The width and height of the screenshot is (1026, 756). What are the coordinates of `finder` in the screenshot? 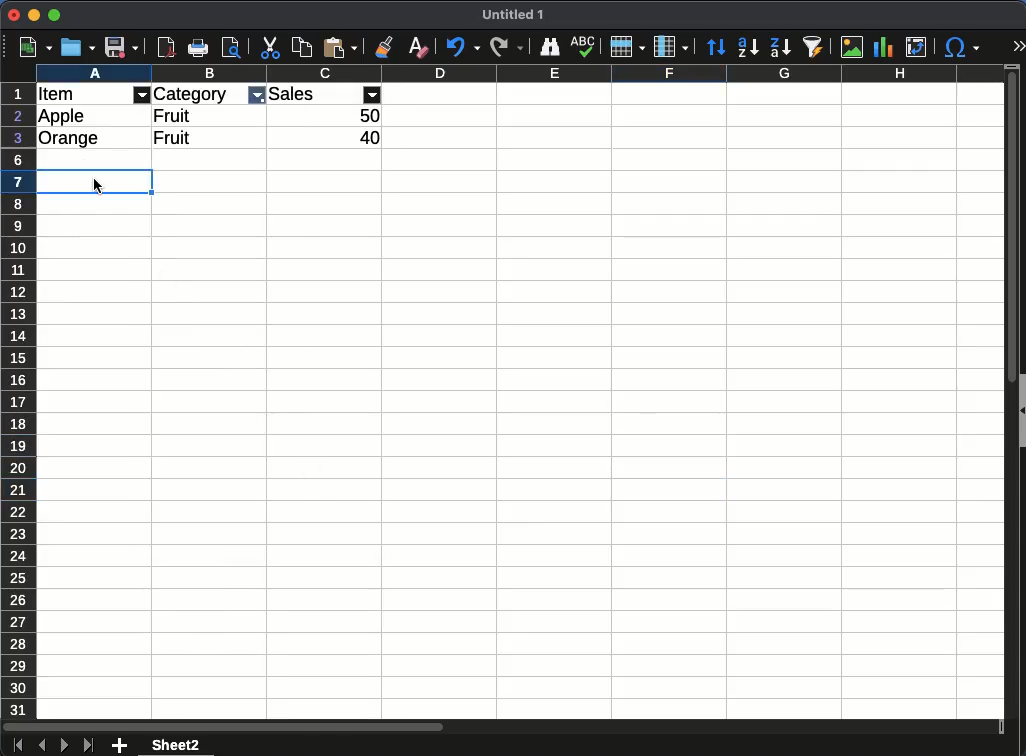 It's located at (550, 47).